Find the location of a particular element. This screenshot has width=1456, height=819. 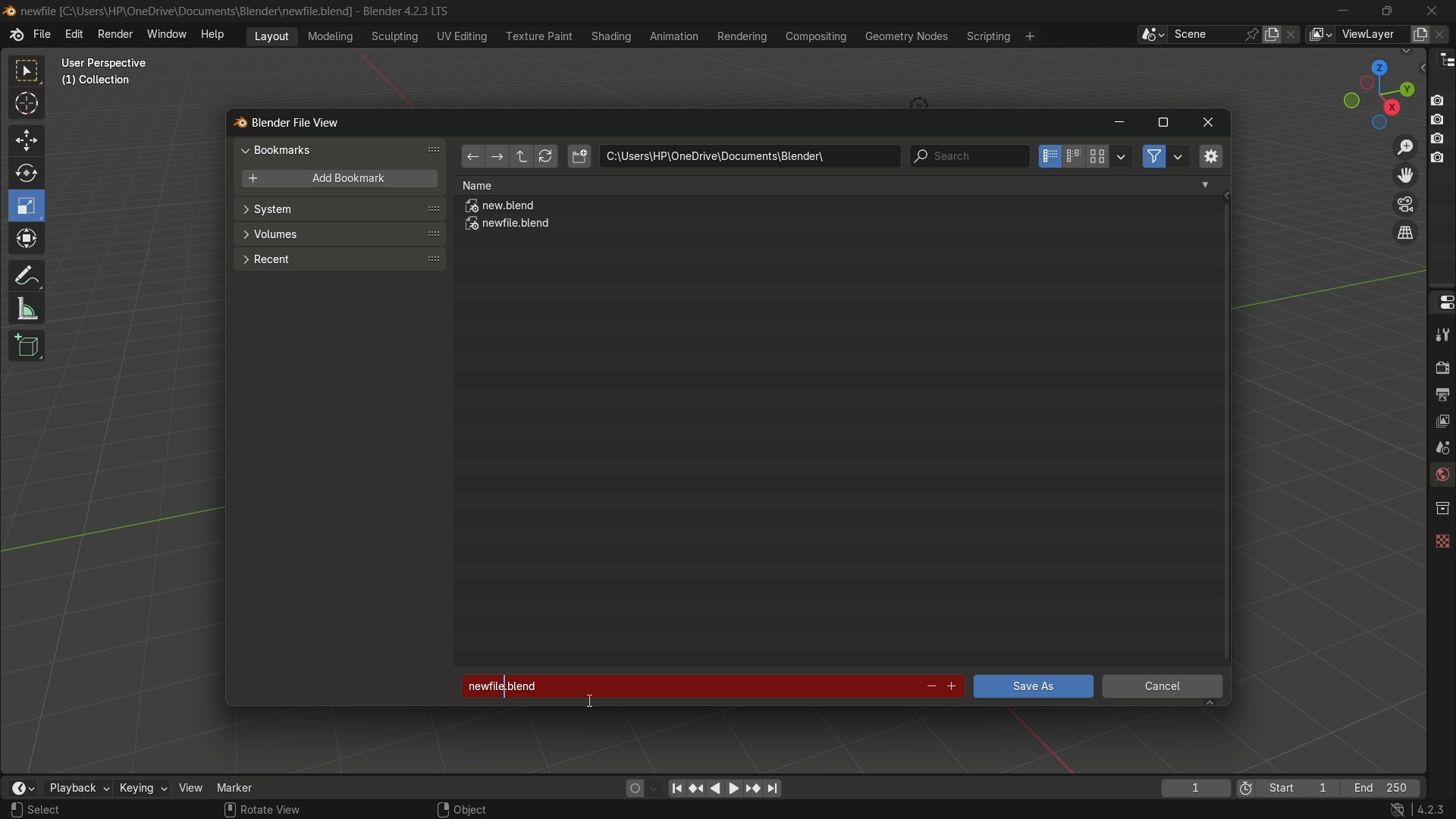

modeling menu is located at coordinates (331, 35).